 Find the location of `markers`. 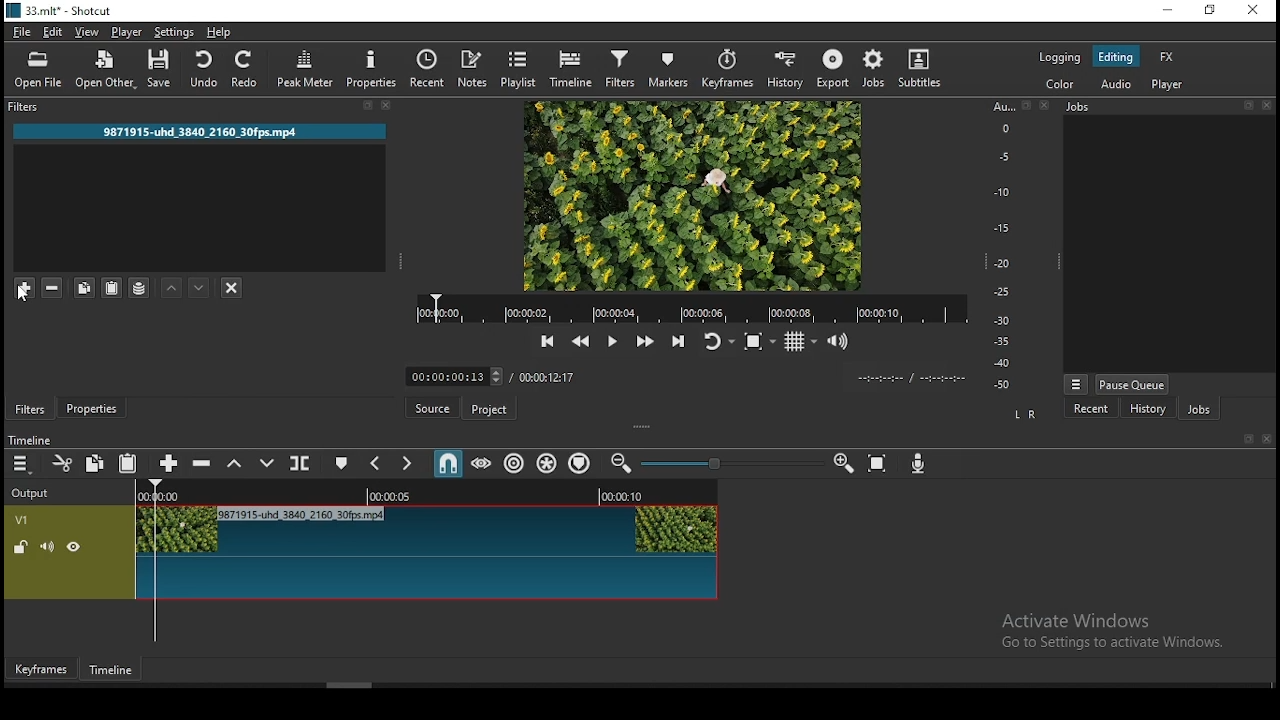

markers is located at coordinates (671, 67).